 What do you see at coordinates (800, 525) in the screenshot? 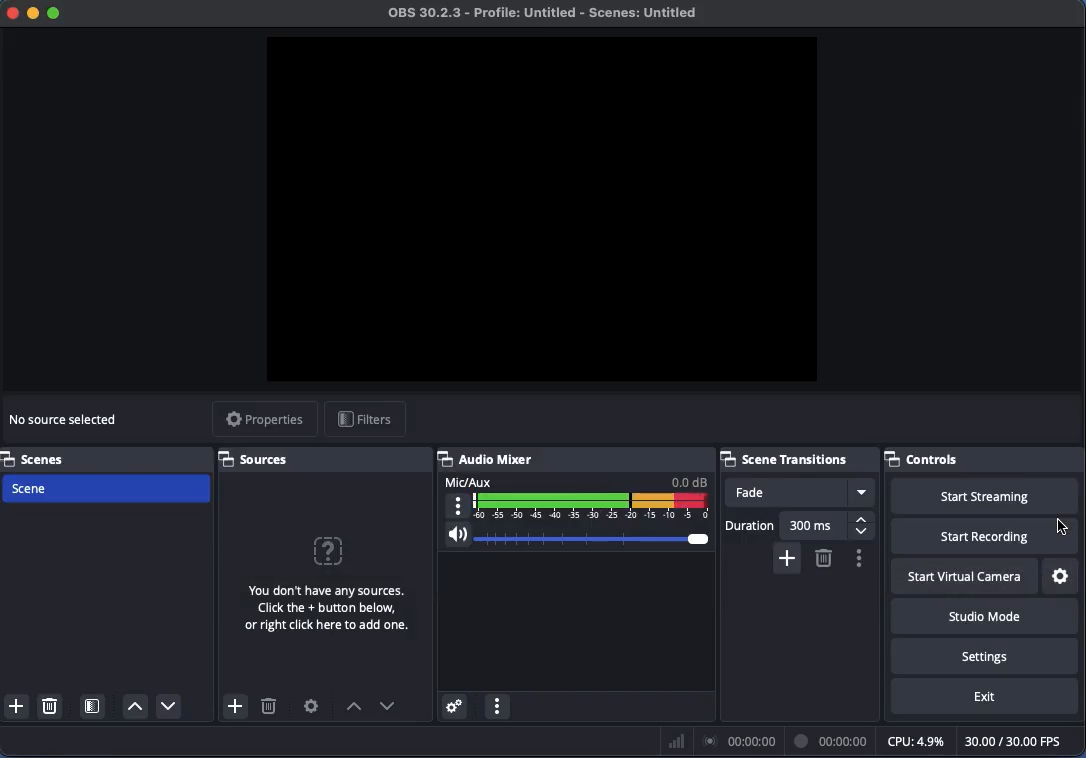
I see `Duration` at bounding box center [800, 525].